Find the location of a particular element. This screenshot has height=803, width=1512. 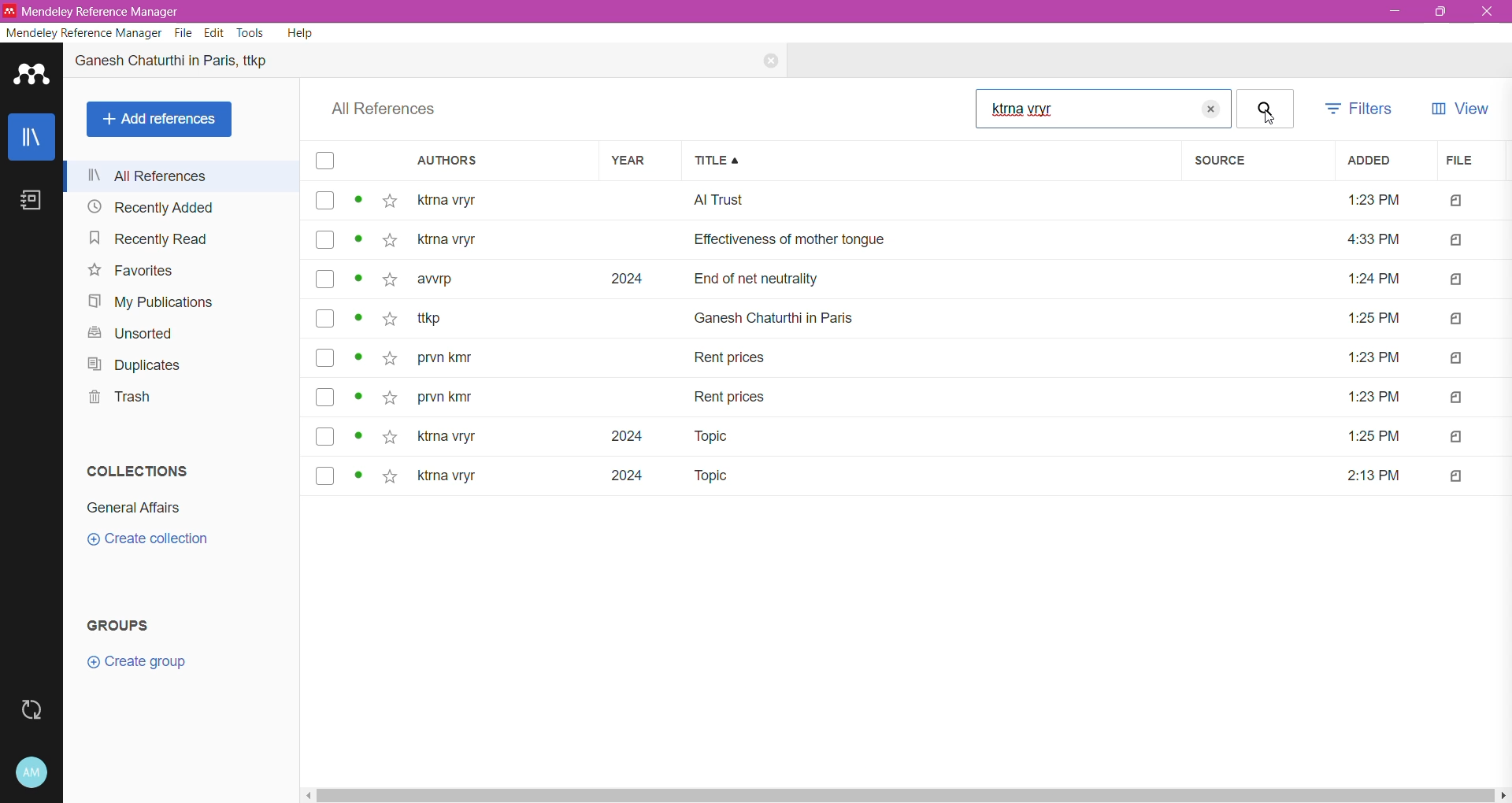

Account and Help is located at coordinates (31, 772).